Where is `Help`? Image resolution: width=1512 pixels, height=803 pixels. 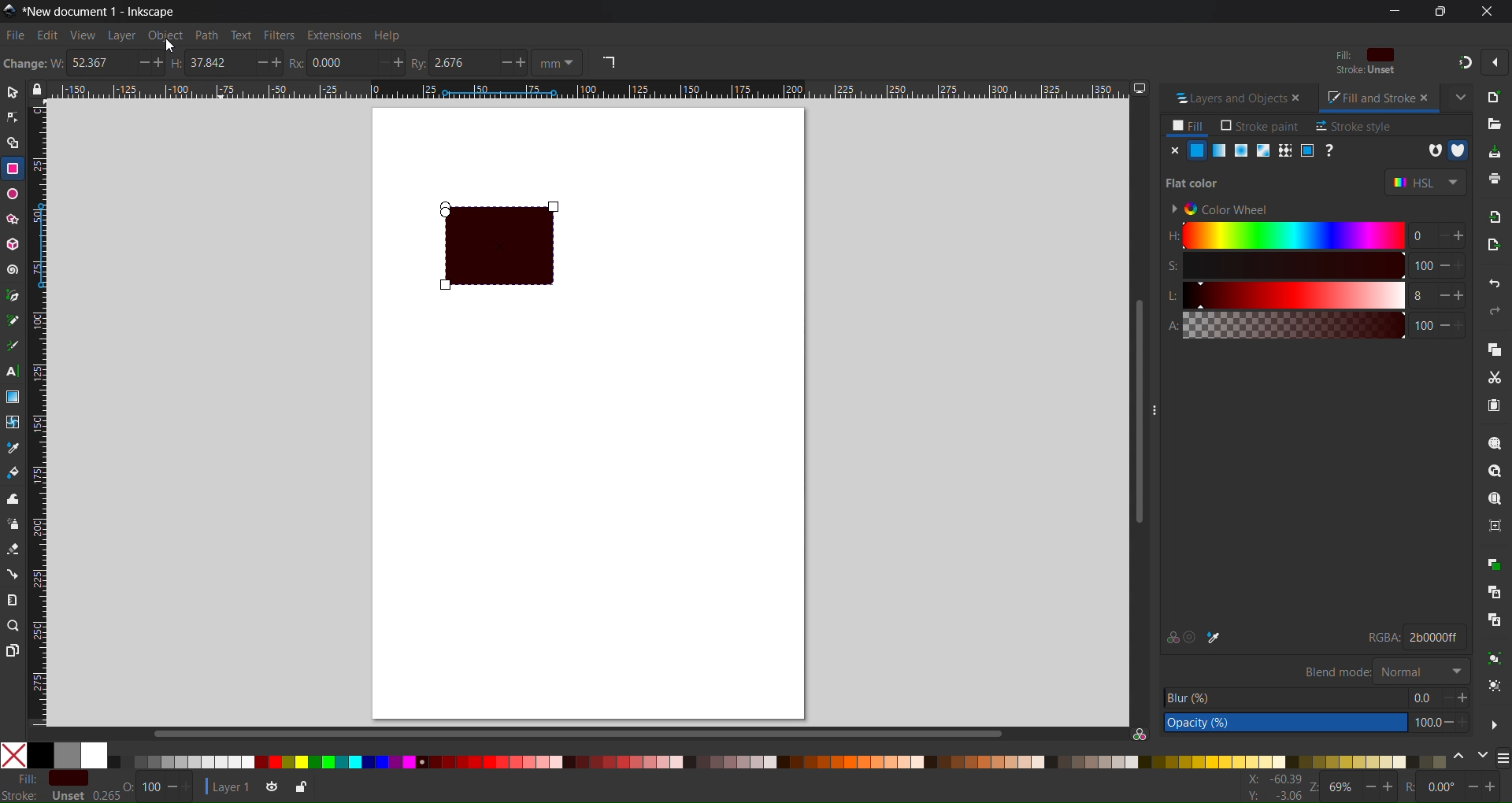 Help is located at coordinates (386, 35).